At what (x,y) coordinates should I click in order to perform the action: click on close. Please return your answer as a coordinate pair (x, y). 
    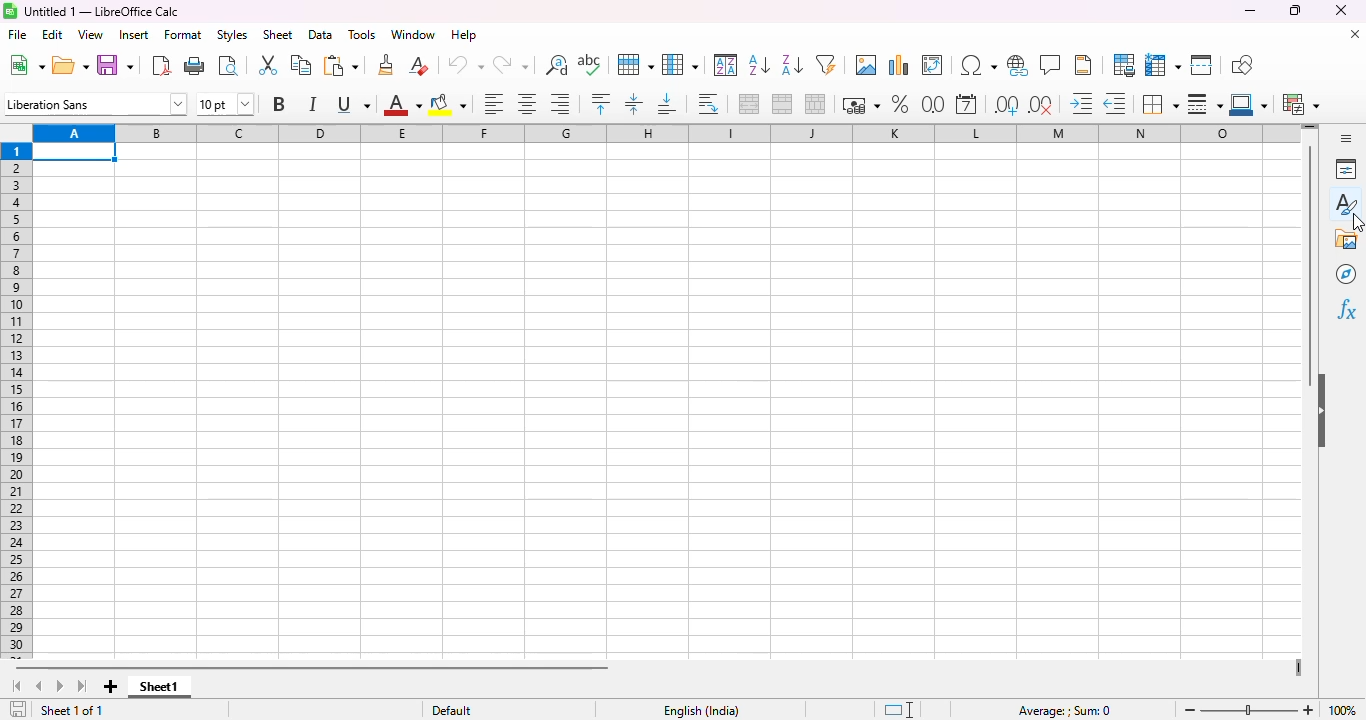
    Looking at the image, I should click on (1341, 10).